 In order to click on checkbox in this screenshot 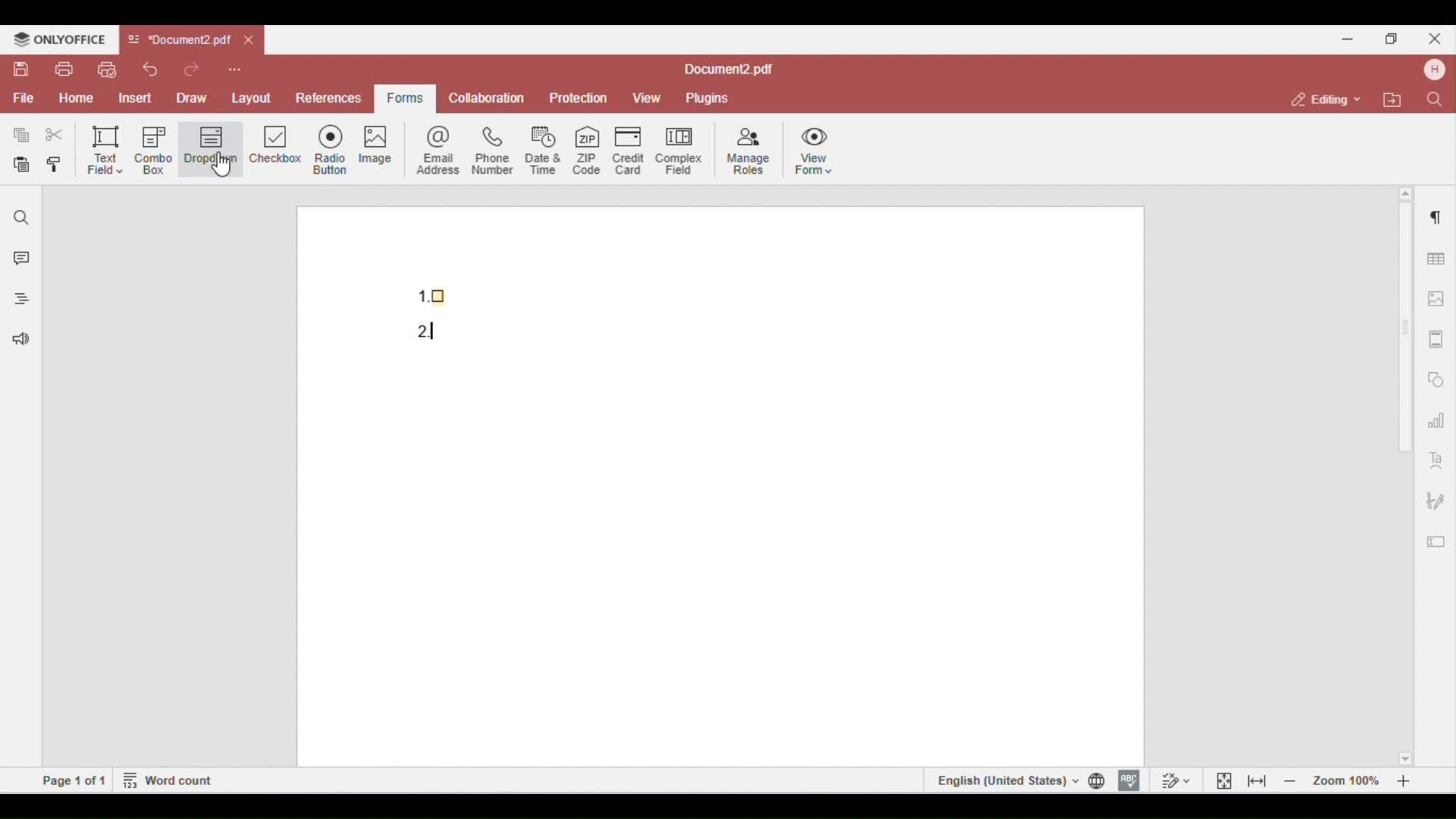, I will do `click(276, 149)`.